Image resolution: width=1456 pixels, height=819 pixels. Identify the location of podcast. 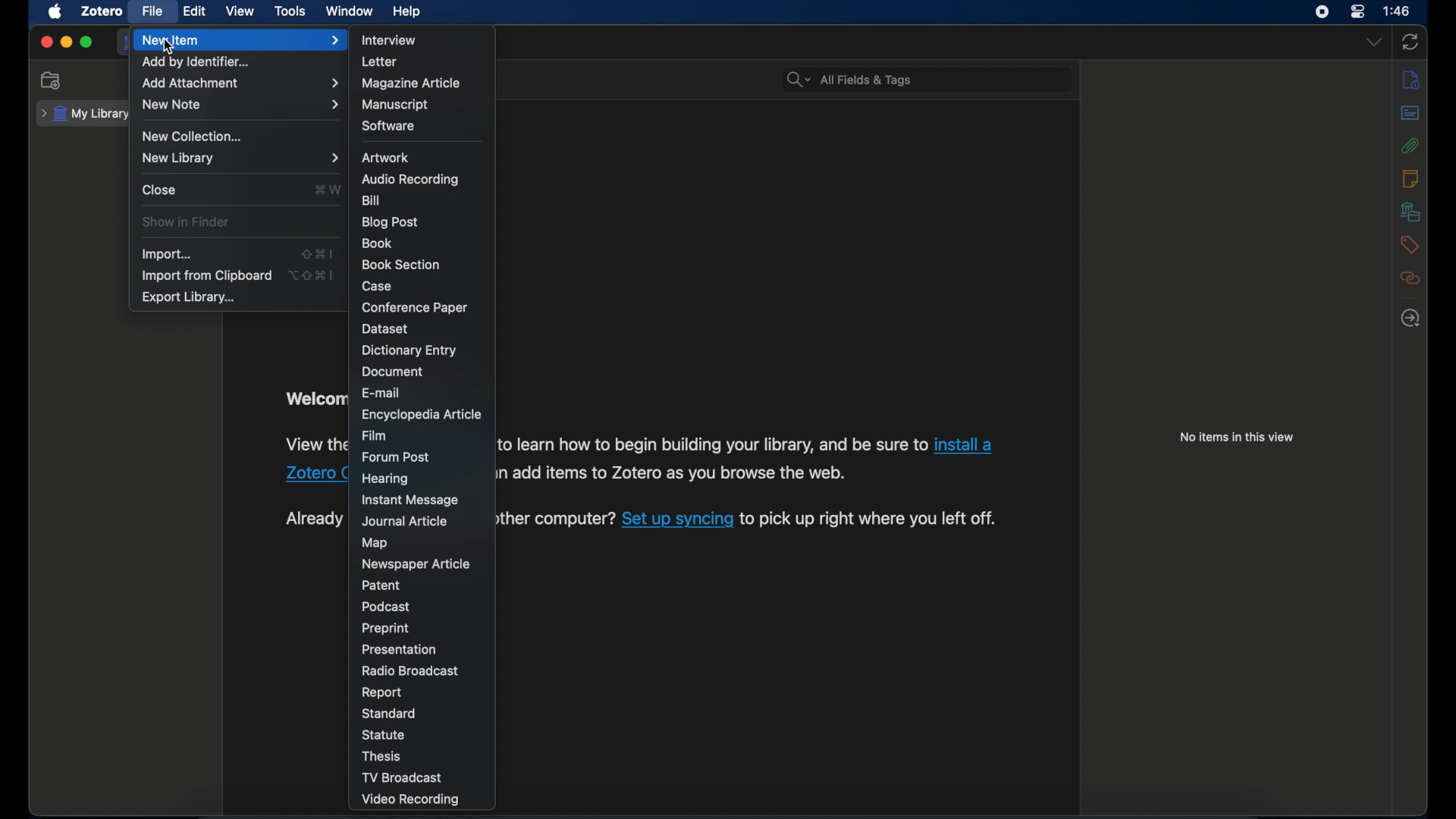
(386, 607).